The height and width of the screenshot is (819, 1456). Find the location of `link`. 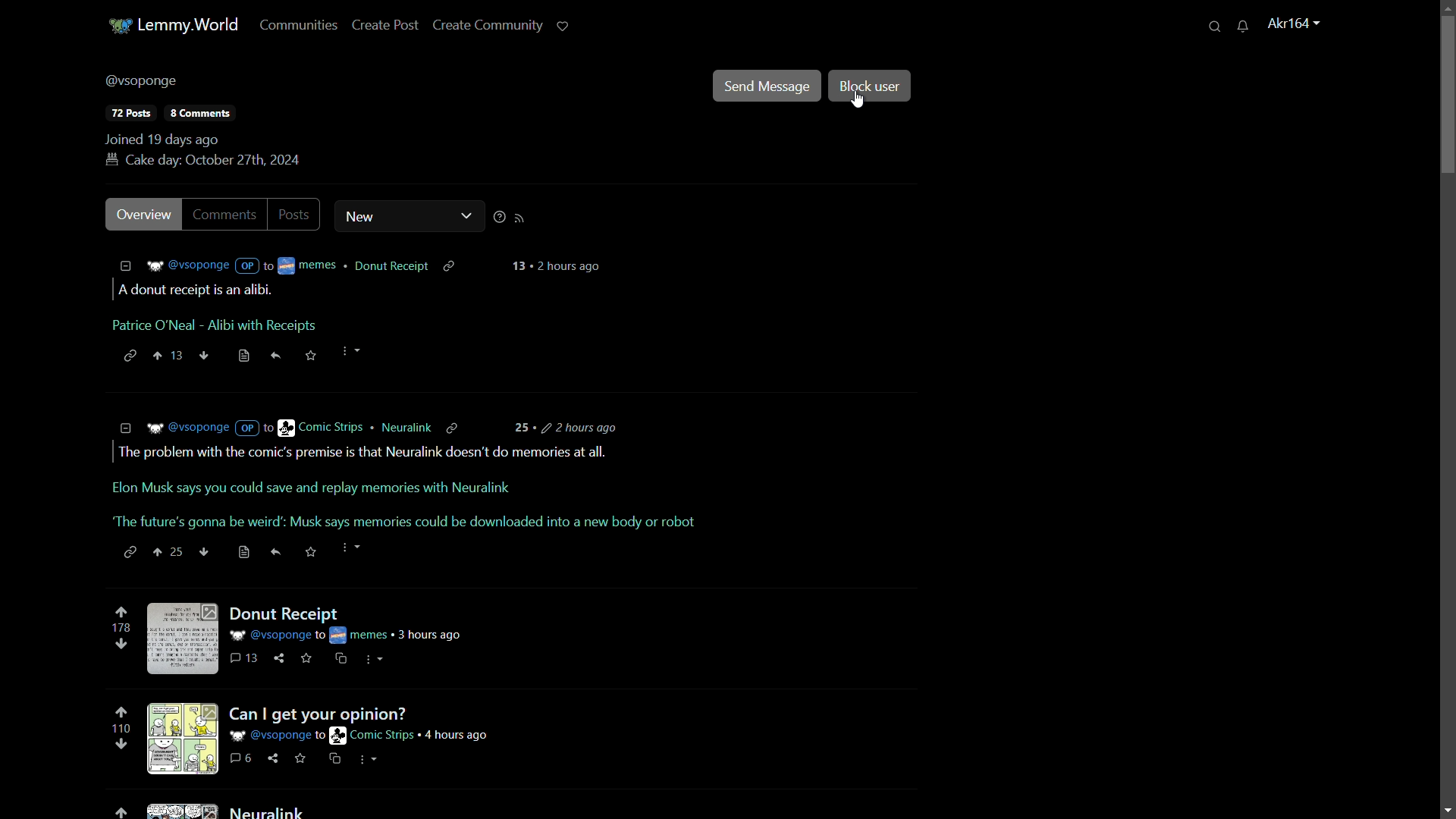

link is located at coordinates (303, 763).